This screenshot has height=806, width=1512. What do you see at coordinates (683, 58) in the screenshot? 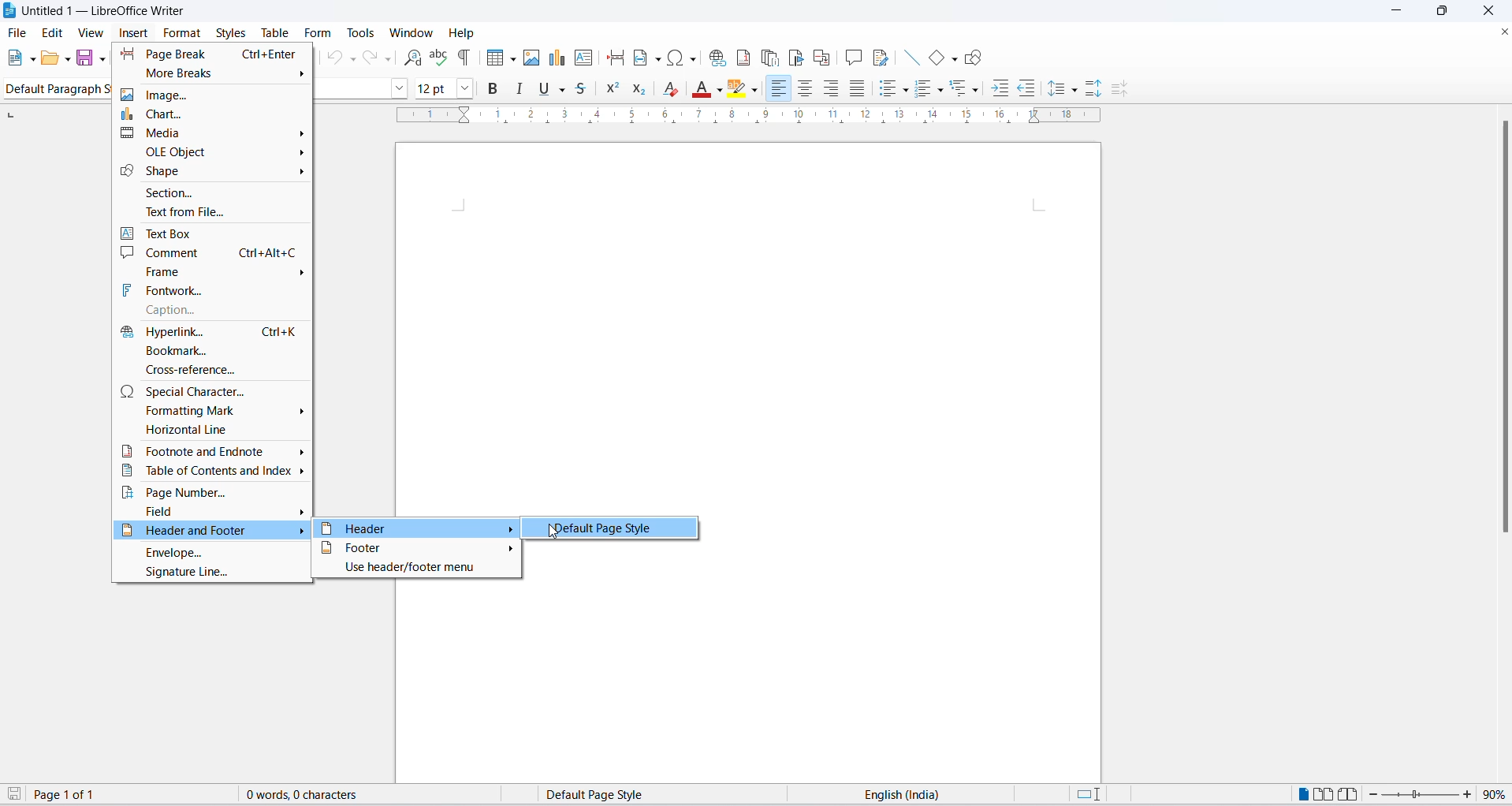
I see `insert special characters` at bounding box center [683, 58].